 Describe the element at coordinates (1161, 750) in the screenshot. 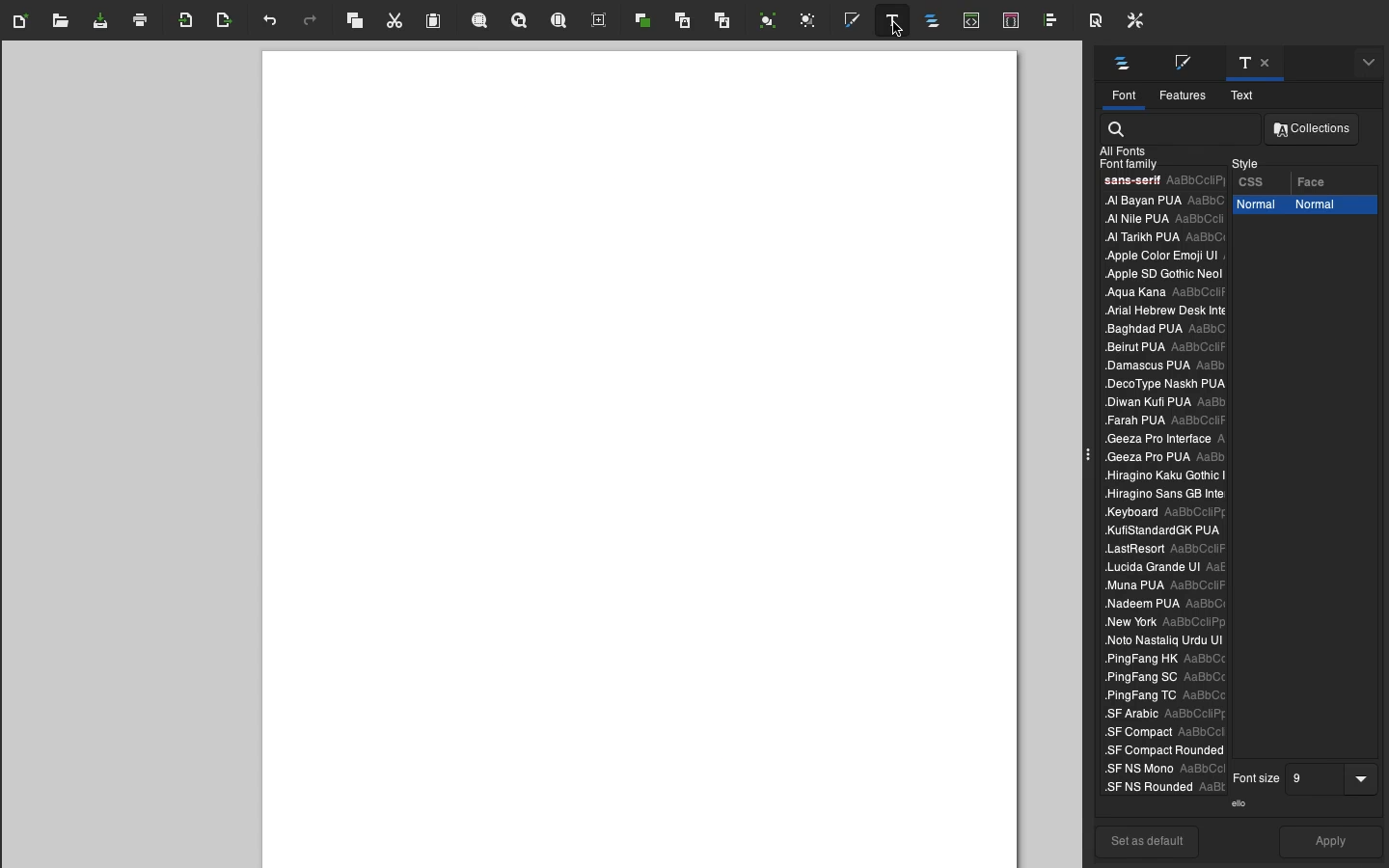

I see `.SF Compact Rounded` at that location.